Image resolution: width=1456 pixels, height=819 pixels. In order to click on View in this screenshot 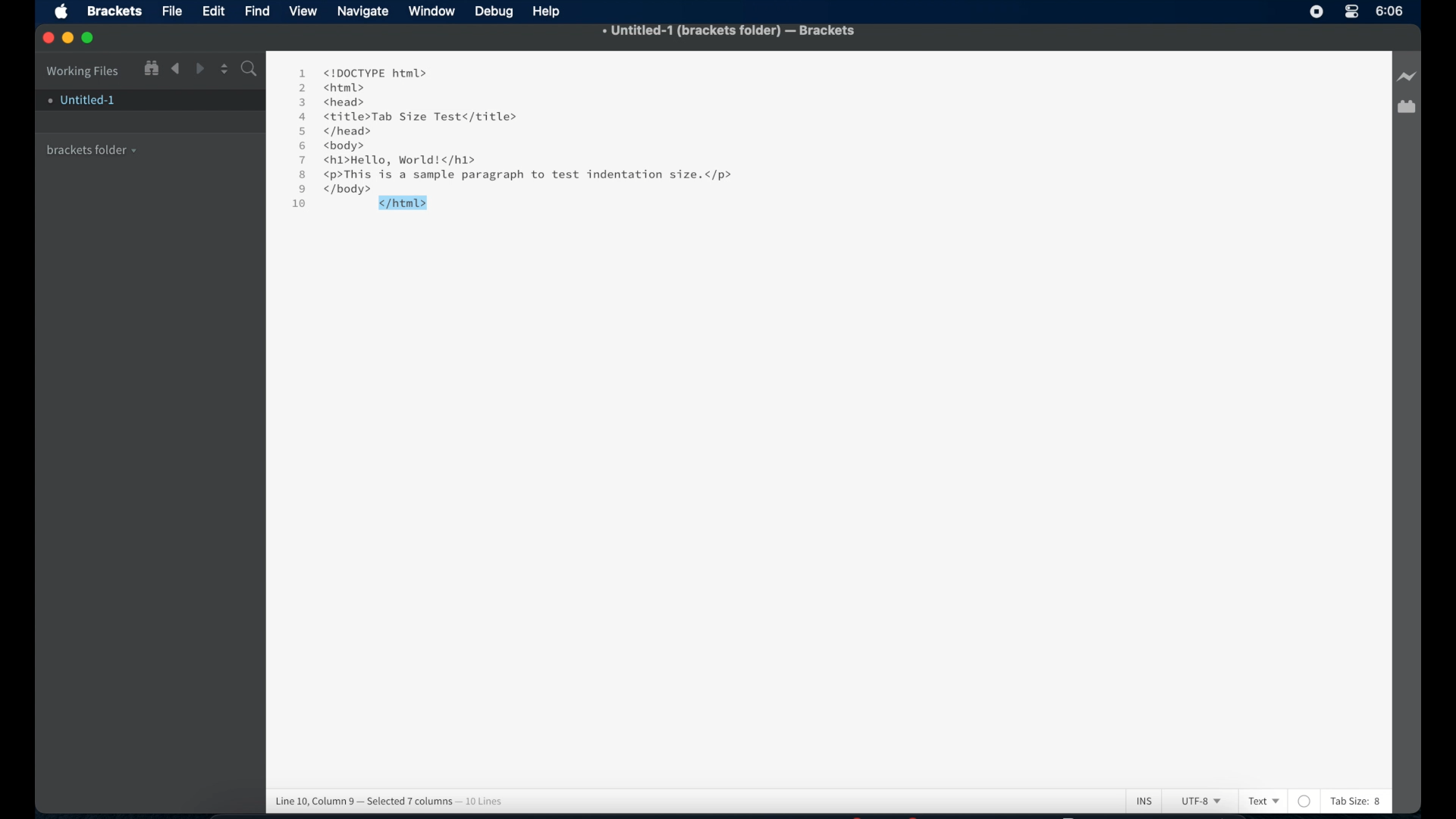, I will do `click(306, 11)`.